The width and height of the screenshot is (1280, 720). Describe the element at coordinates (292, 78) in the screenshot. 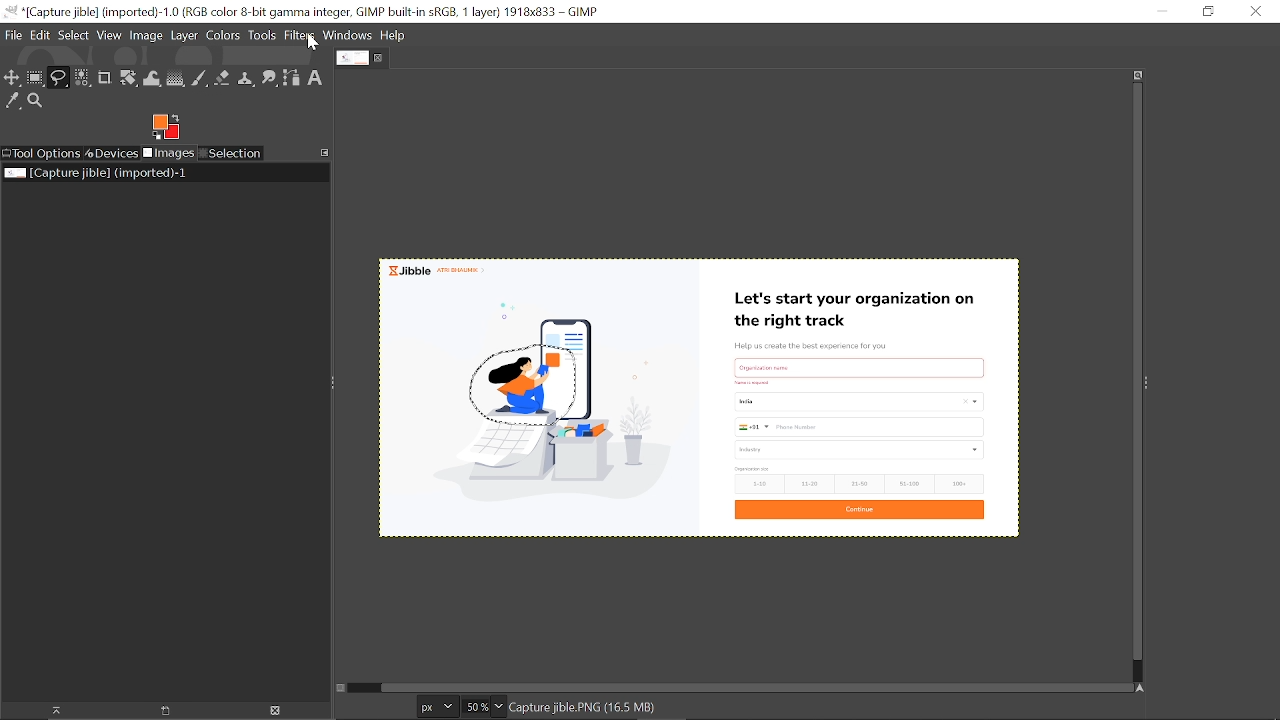

I see `Path tool` at that location.